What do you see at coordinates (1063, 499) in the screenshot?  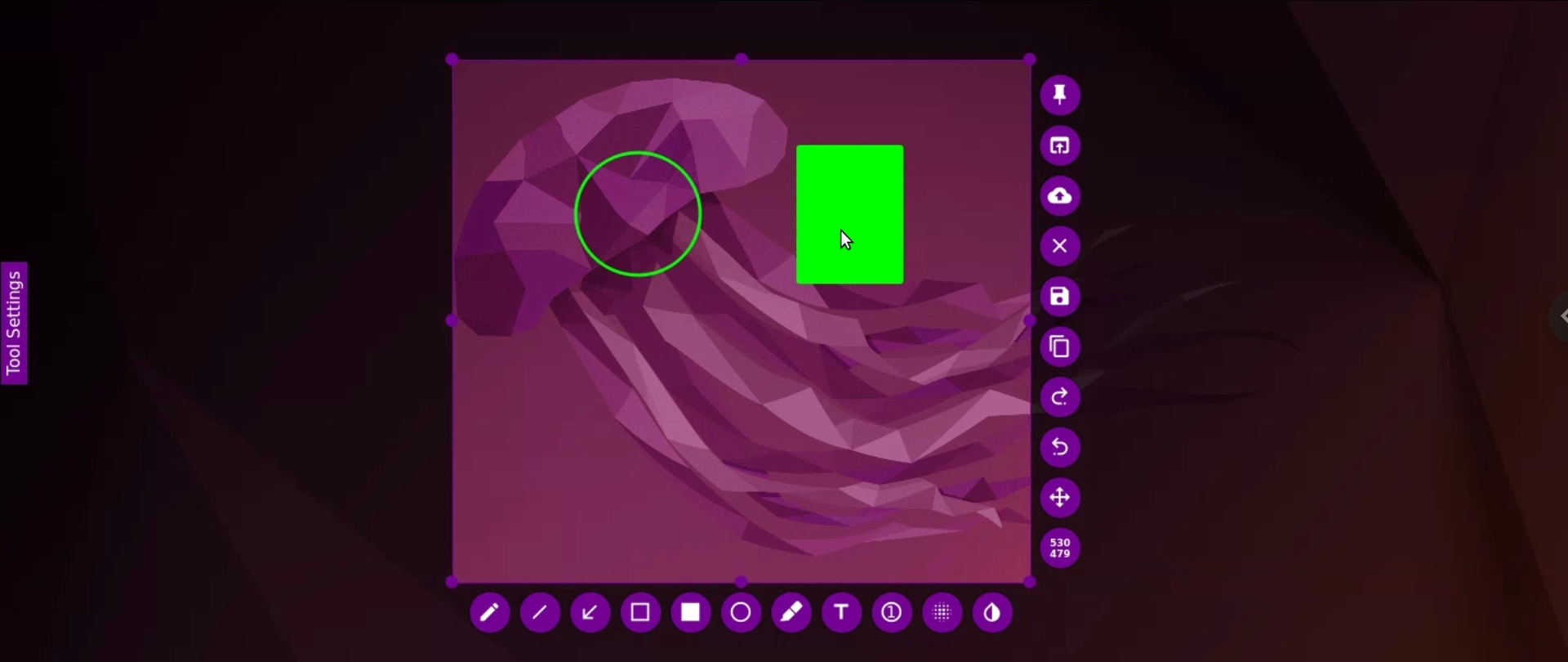 I see `move` at bounding box center [1063, 499].